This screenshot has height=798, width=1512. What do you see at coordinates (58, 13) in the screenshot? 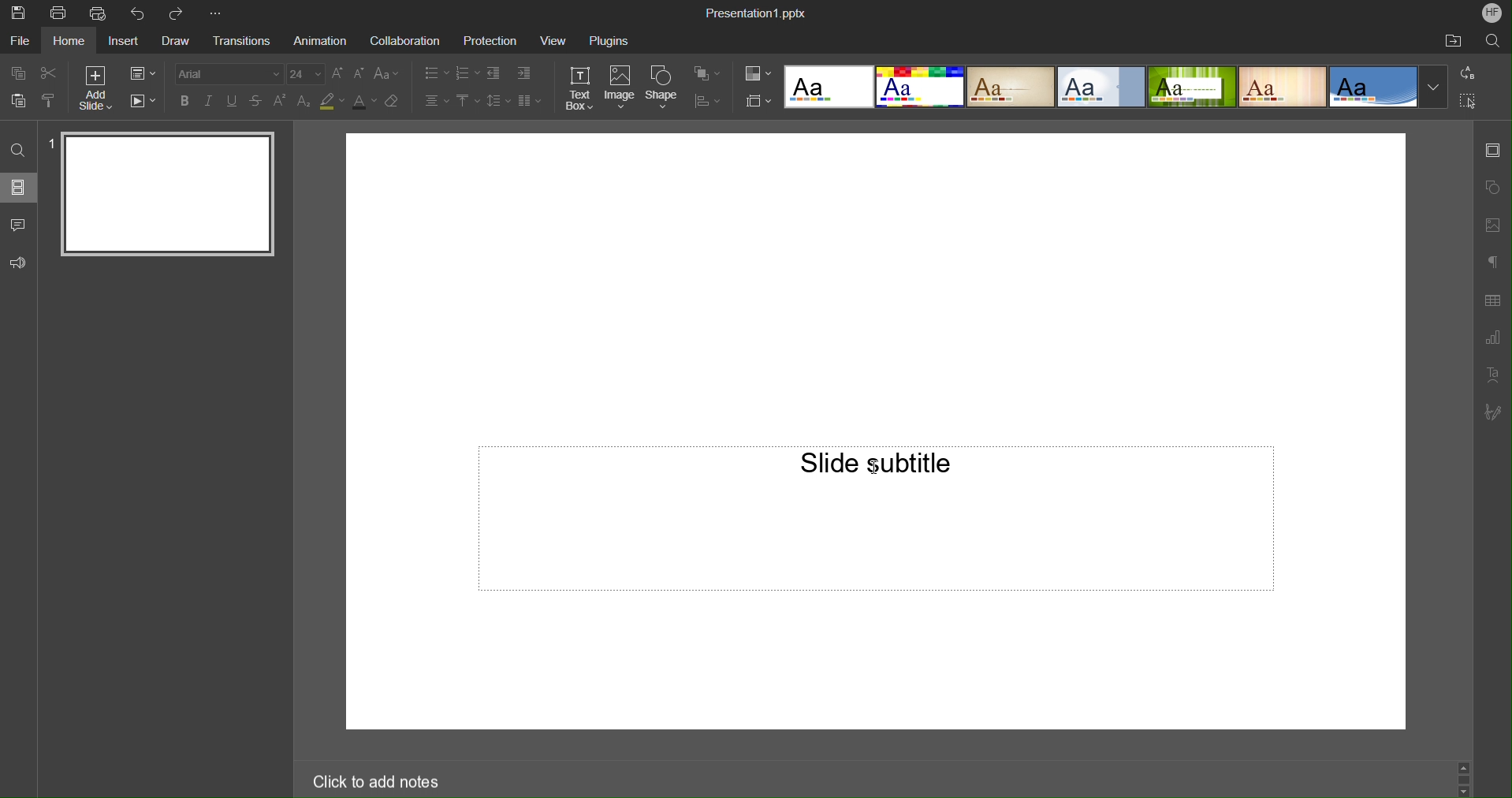
I see `Print` at bounding box center [58, 13].